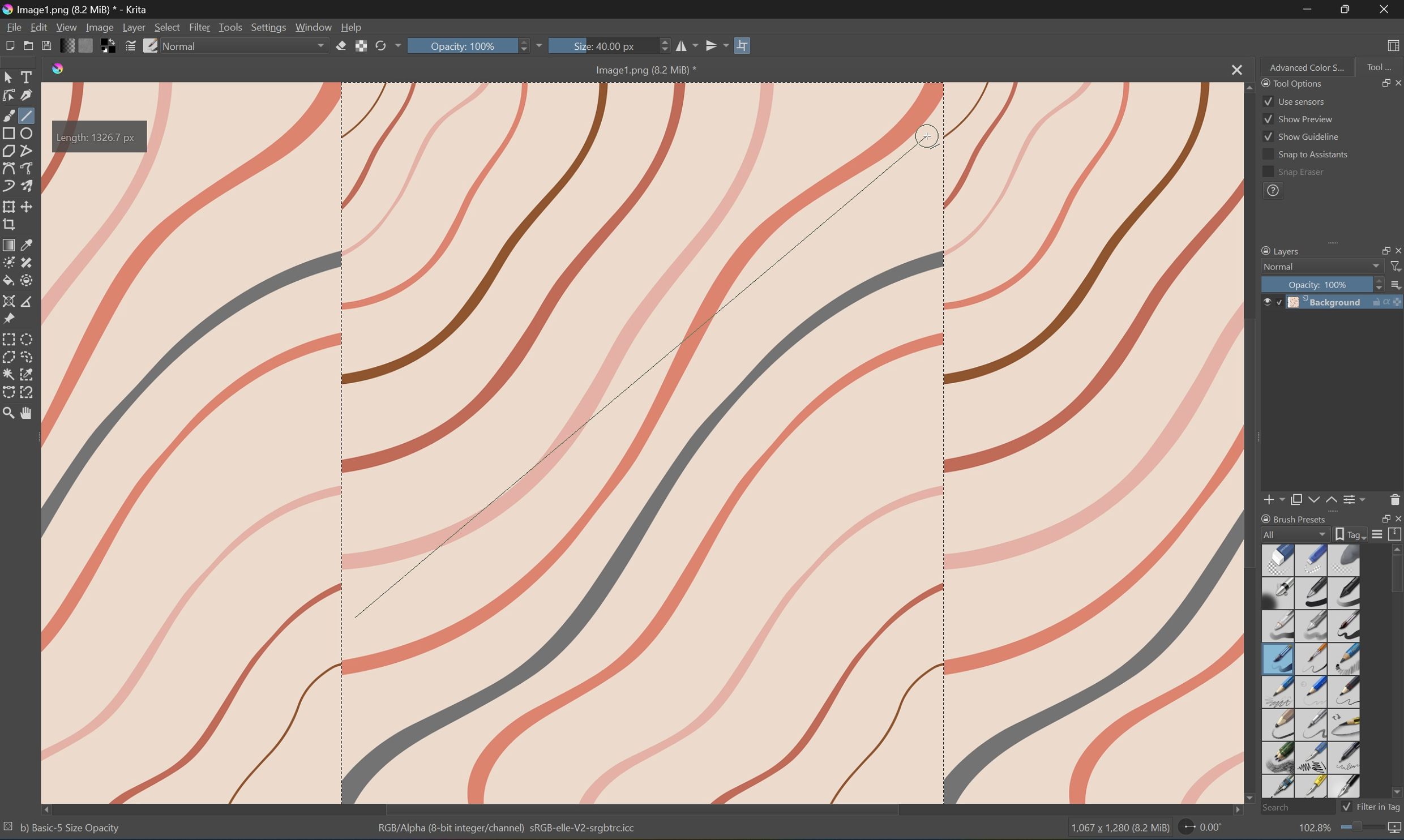  Describe the element at coordinates (1337, 246) in the screenshot. I see `Expand` at that location.